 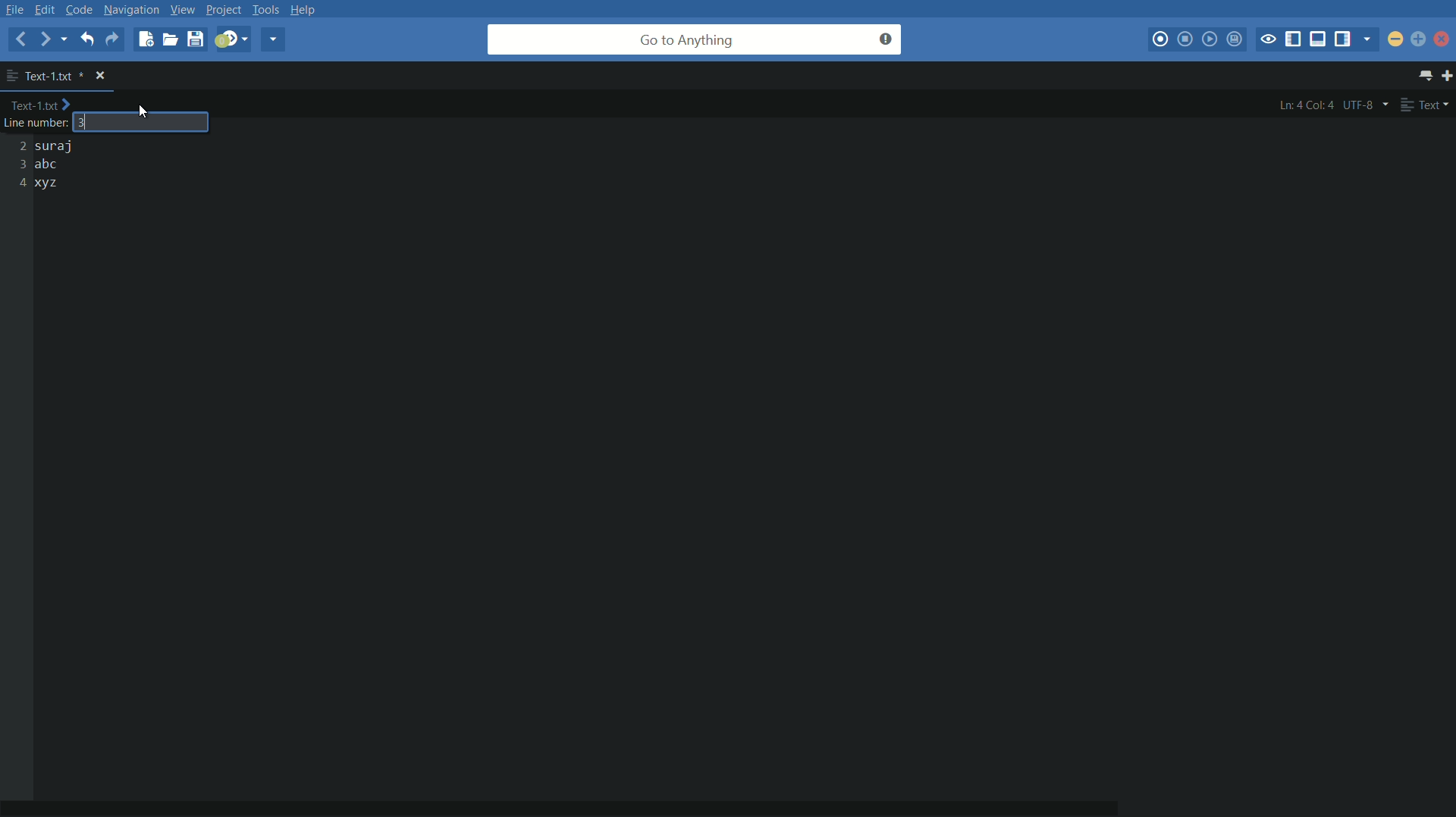 What do you see at coordinates (1162, 40) in the screenshot?
I see `start macro` at bounding box center [1162, 40].